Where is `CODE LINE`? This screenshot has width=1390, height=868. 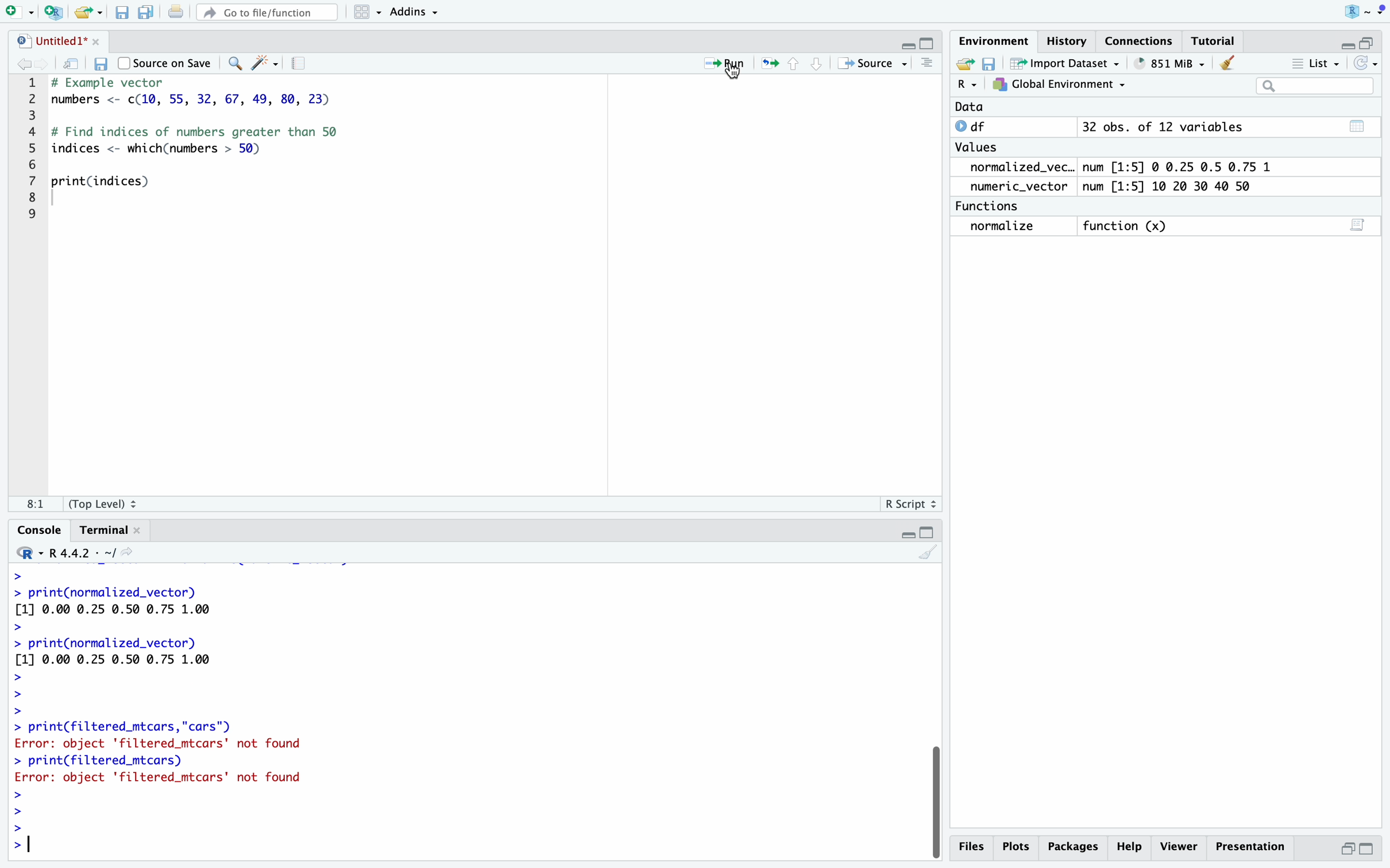
CODE LINE is located at coordinates (35, 147).